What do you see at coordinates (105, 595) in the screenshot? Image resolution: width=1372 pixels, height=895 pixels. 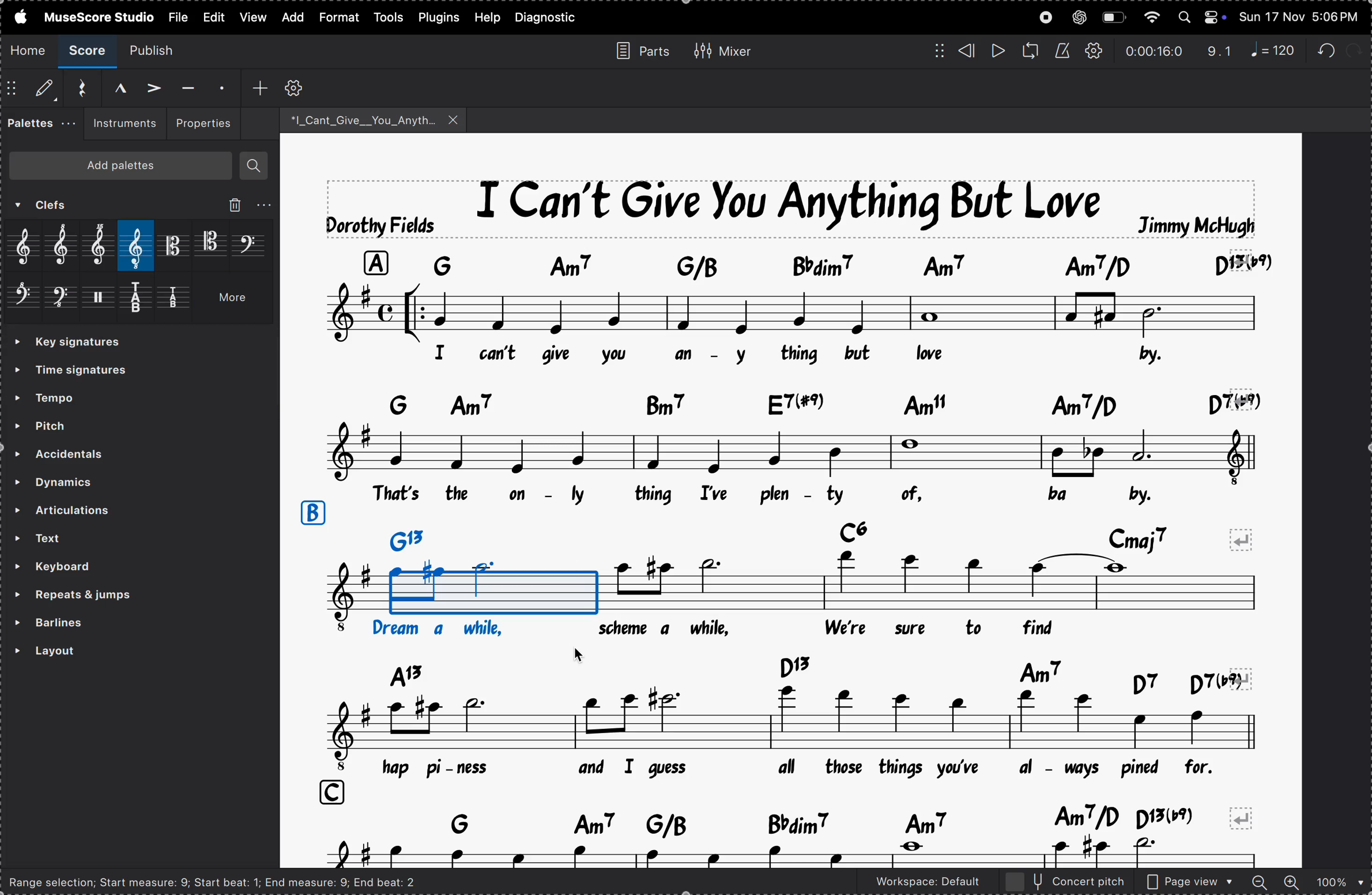 I see `repeats and jumps` at bounding box center [105, 595].